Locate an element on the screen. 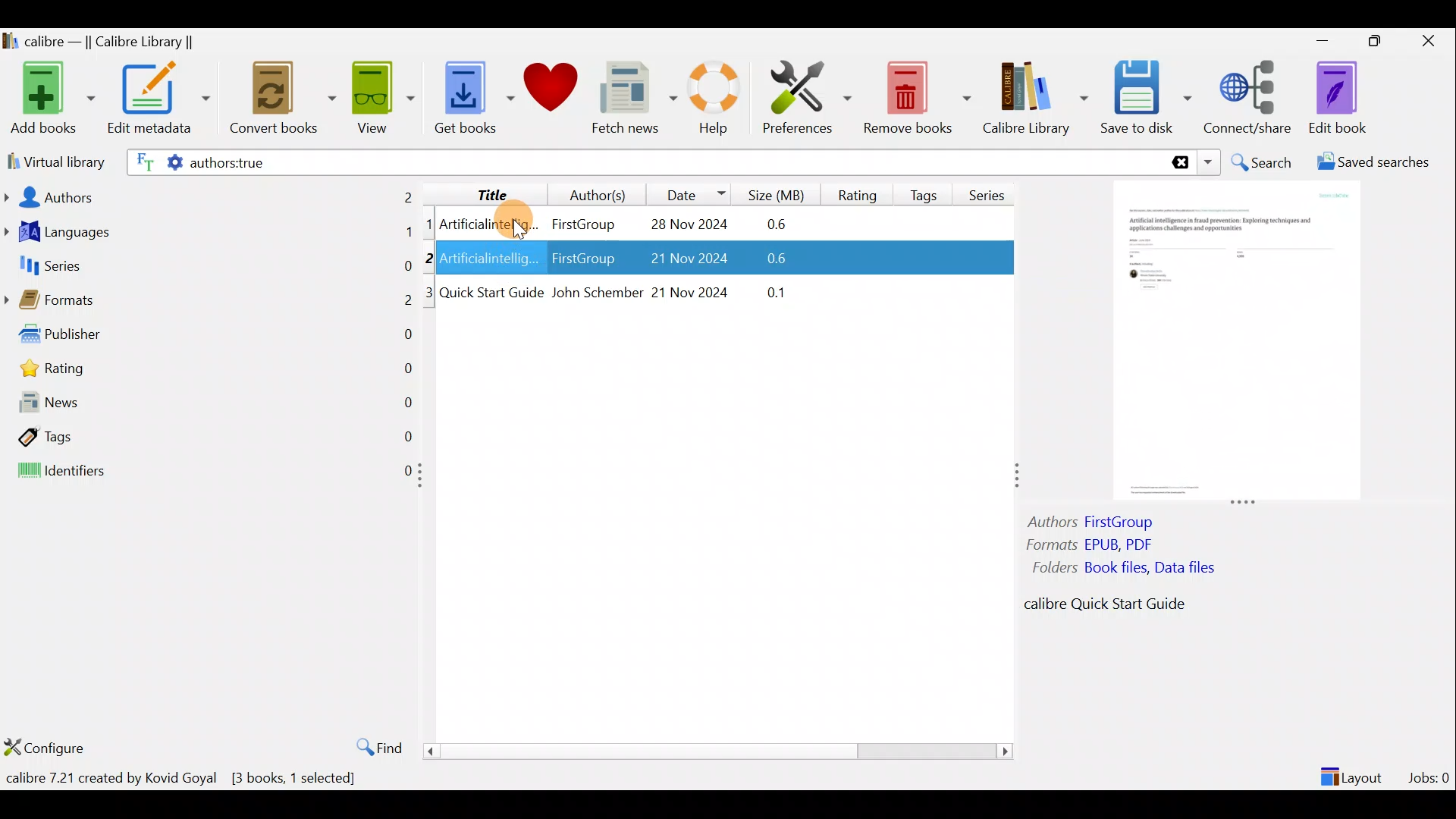 This screenshot has height=819, width=1456. Tags is located at coordinates (209, 435).